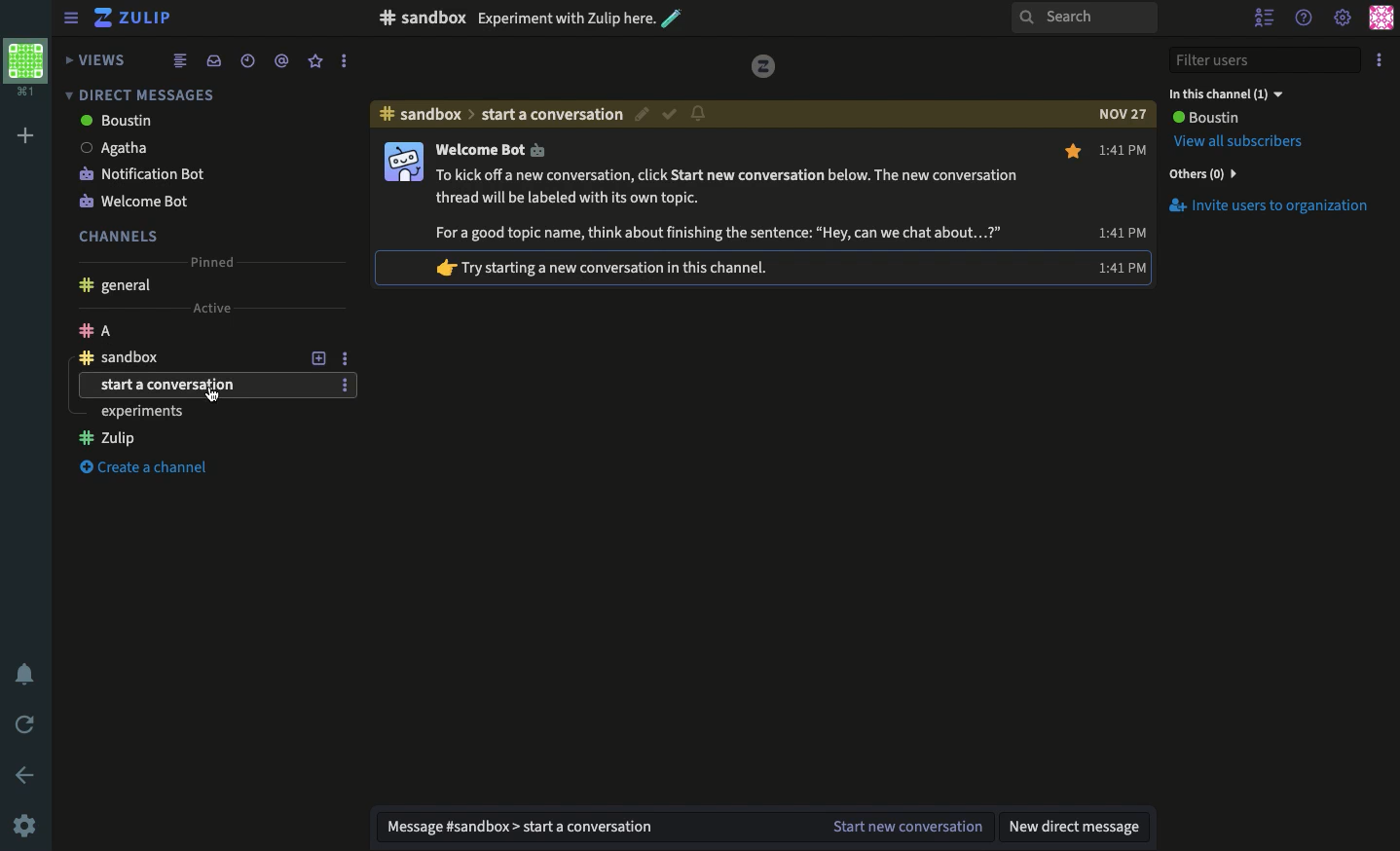  I want to click on Options, so click(345, 330).